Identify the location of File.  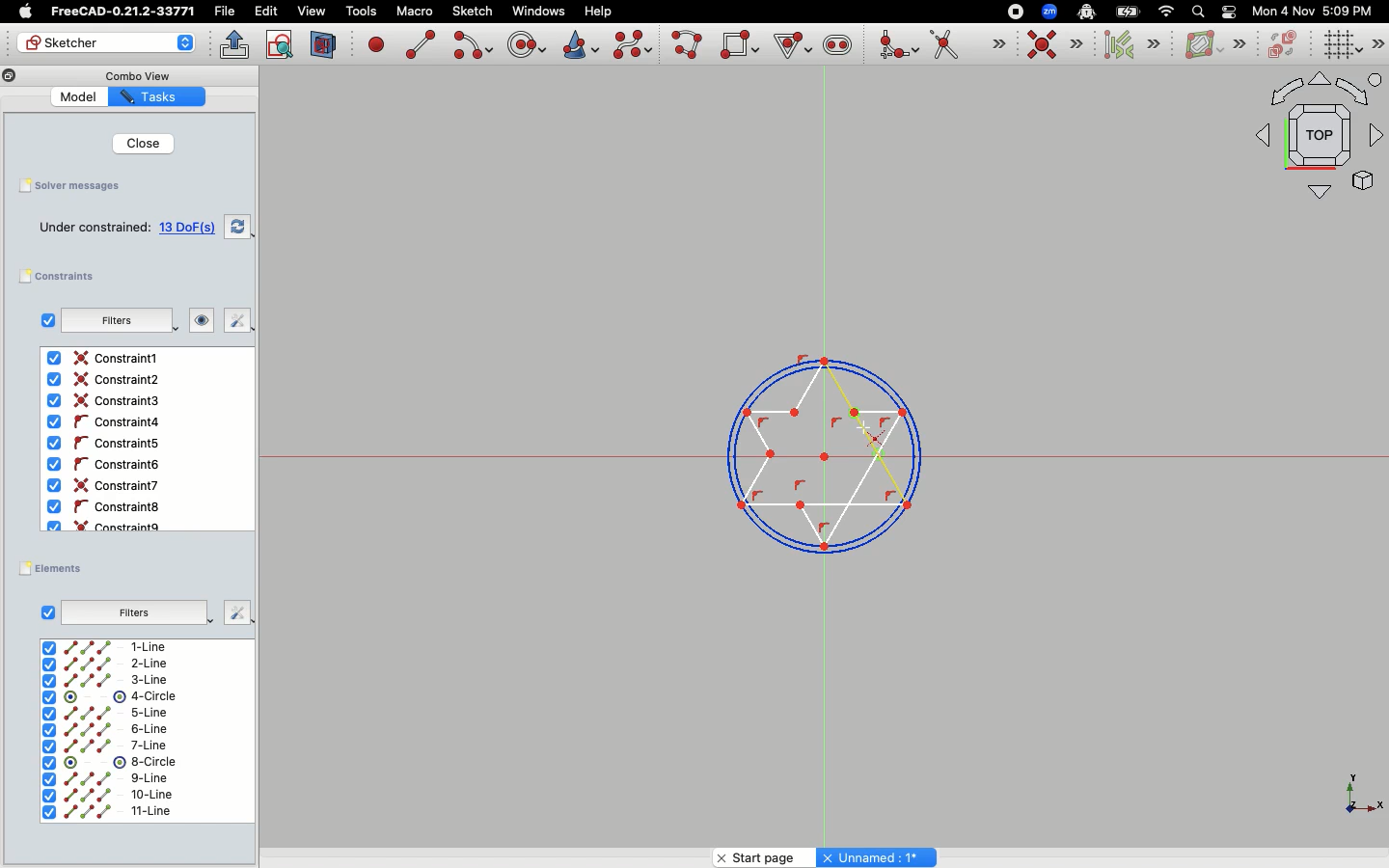
(227, 12).